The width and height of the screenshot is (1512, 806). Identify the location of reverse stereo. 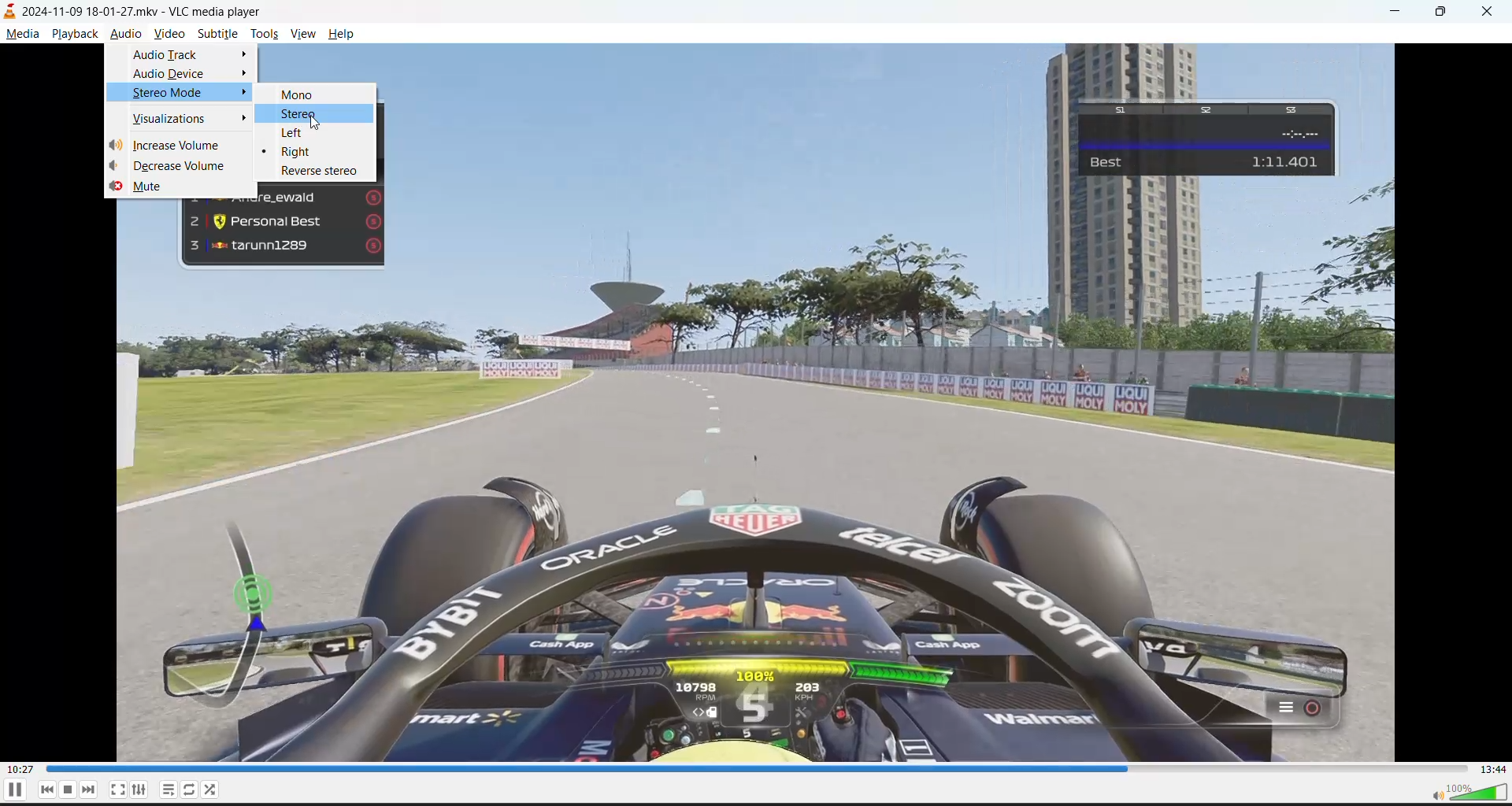
(320, 174).